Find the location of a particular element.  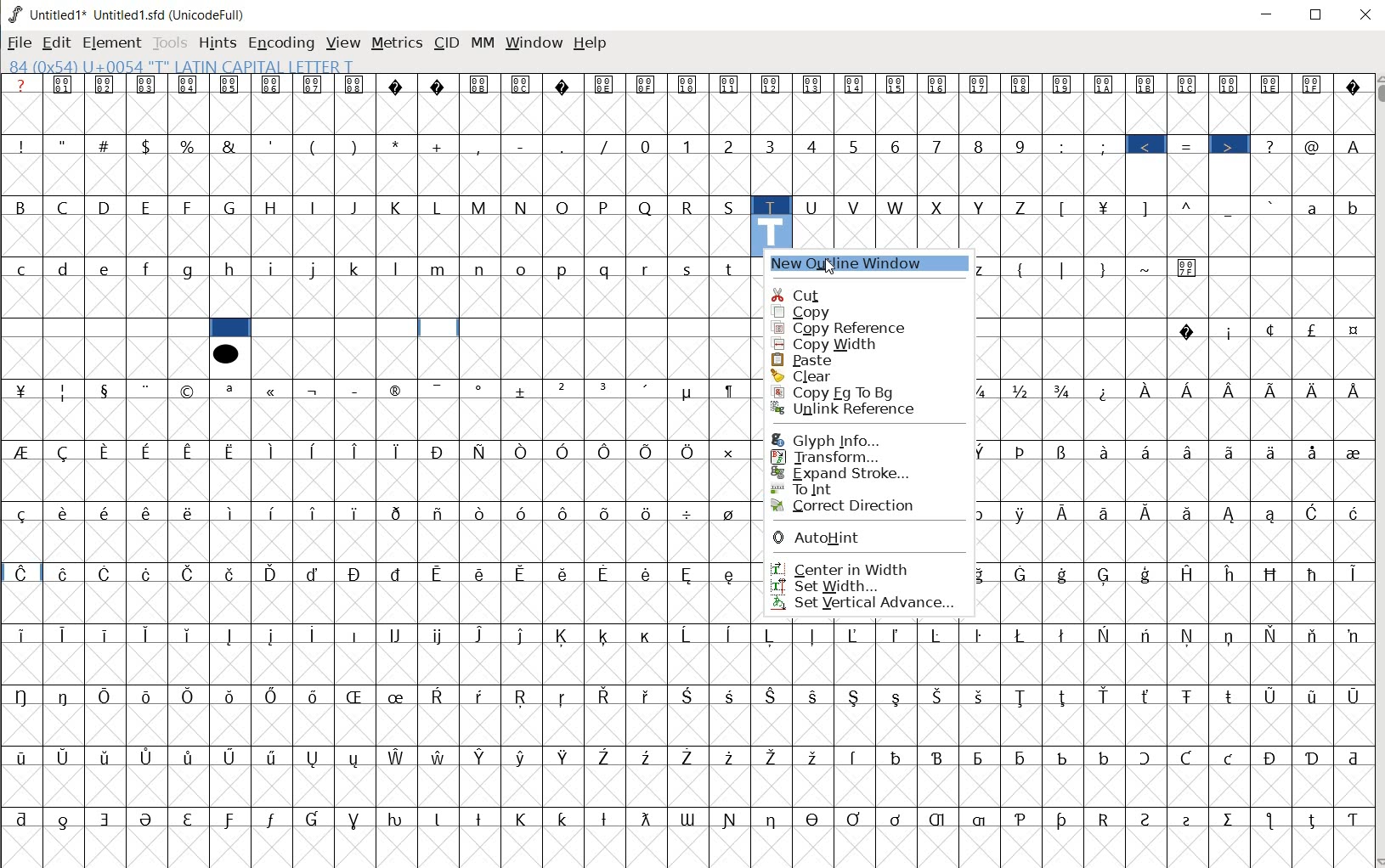

h is located at coordinates (233, 270).